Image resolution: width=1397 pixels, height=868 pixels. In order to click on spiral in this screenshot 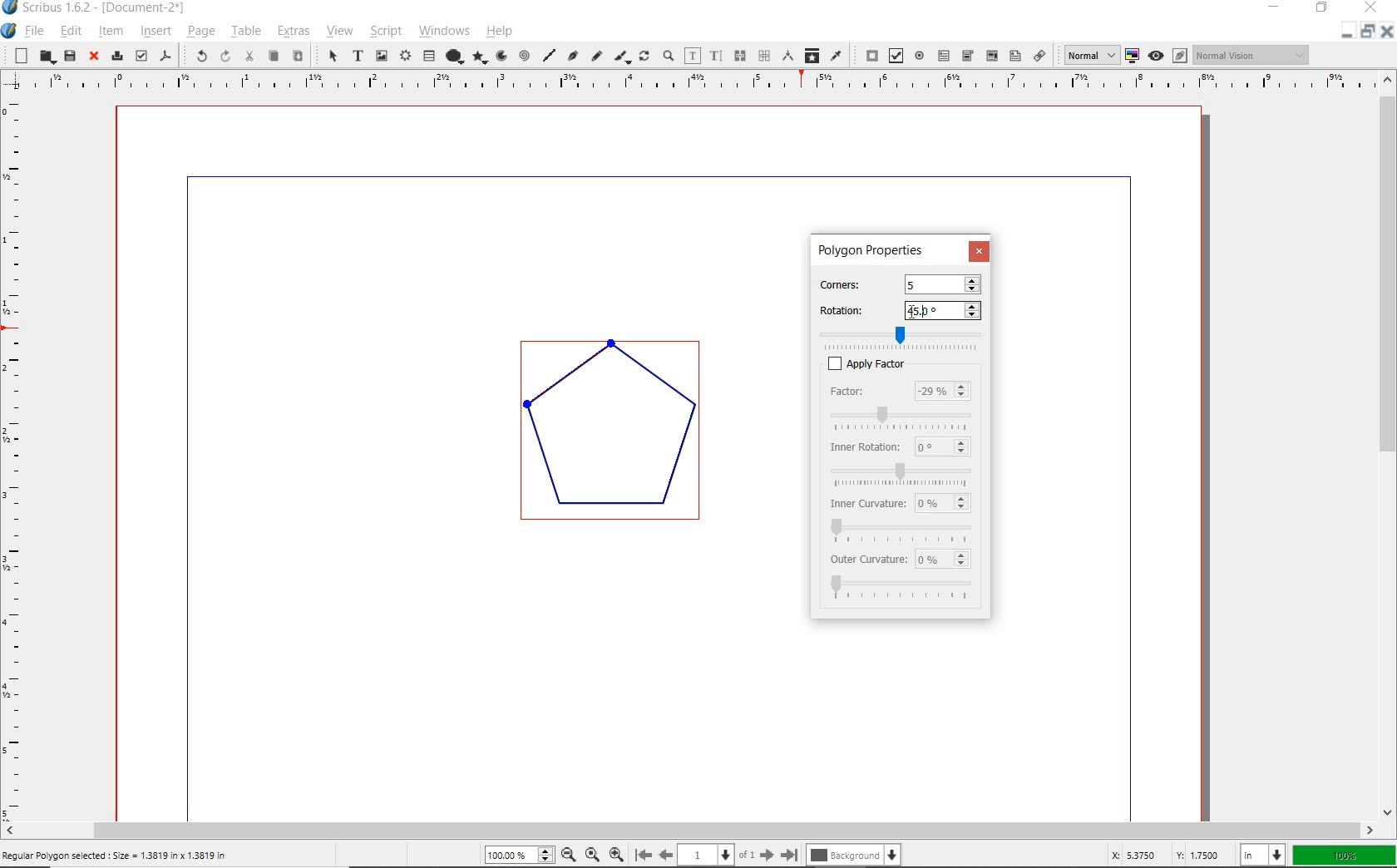, I will do `click(525, 53)`.